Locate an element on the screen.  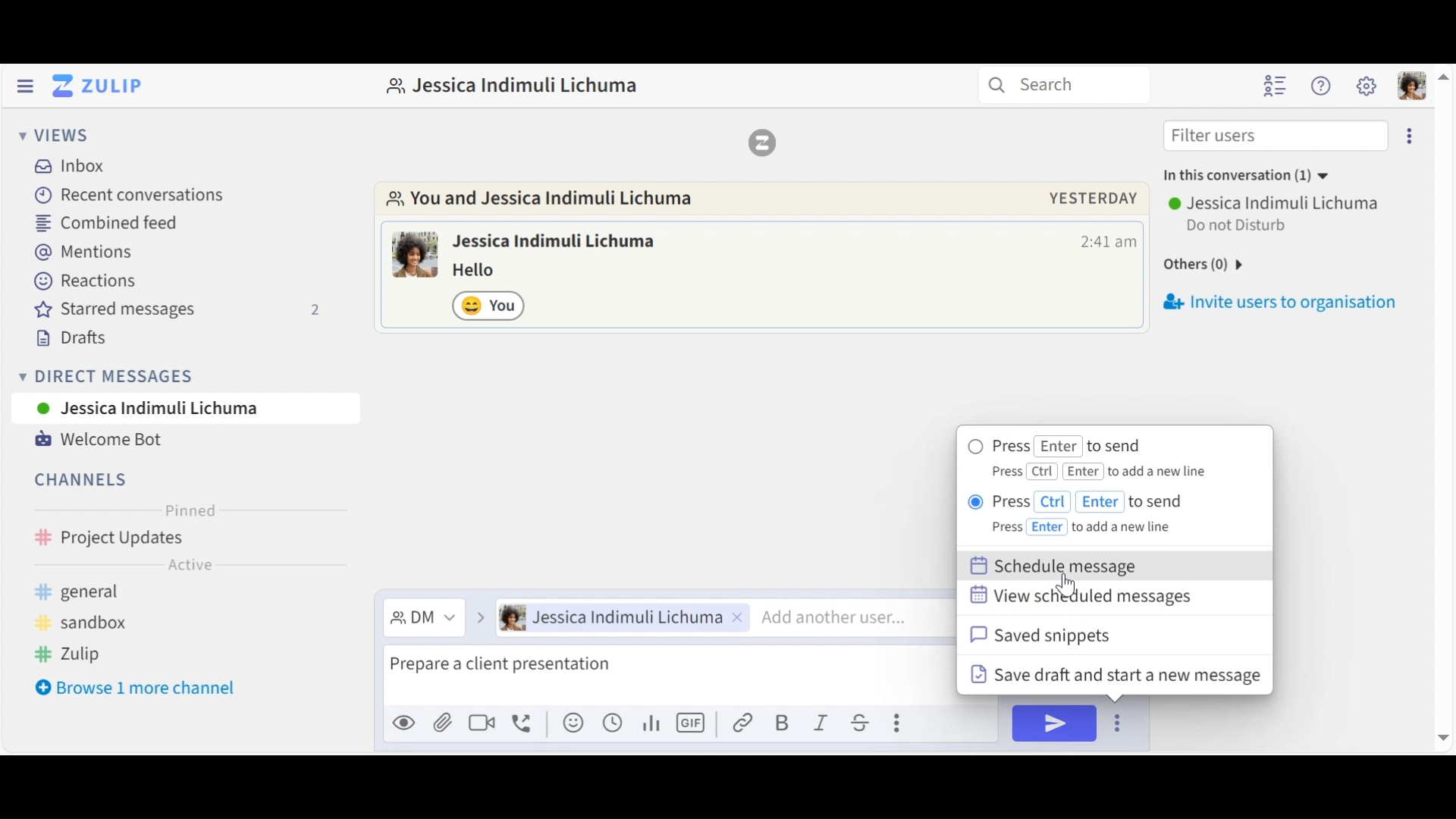
Strikethrough is located at coordinates (858, 723).